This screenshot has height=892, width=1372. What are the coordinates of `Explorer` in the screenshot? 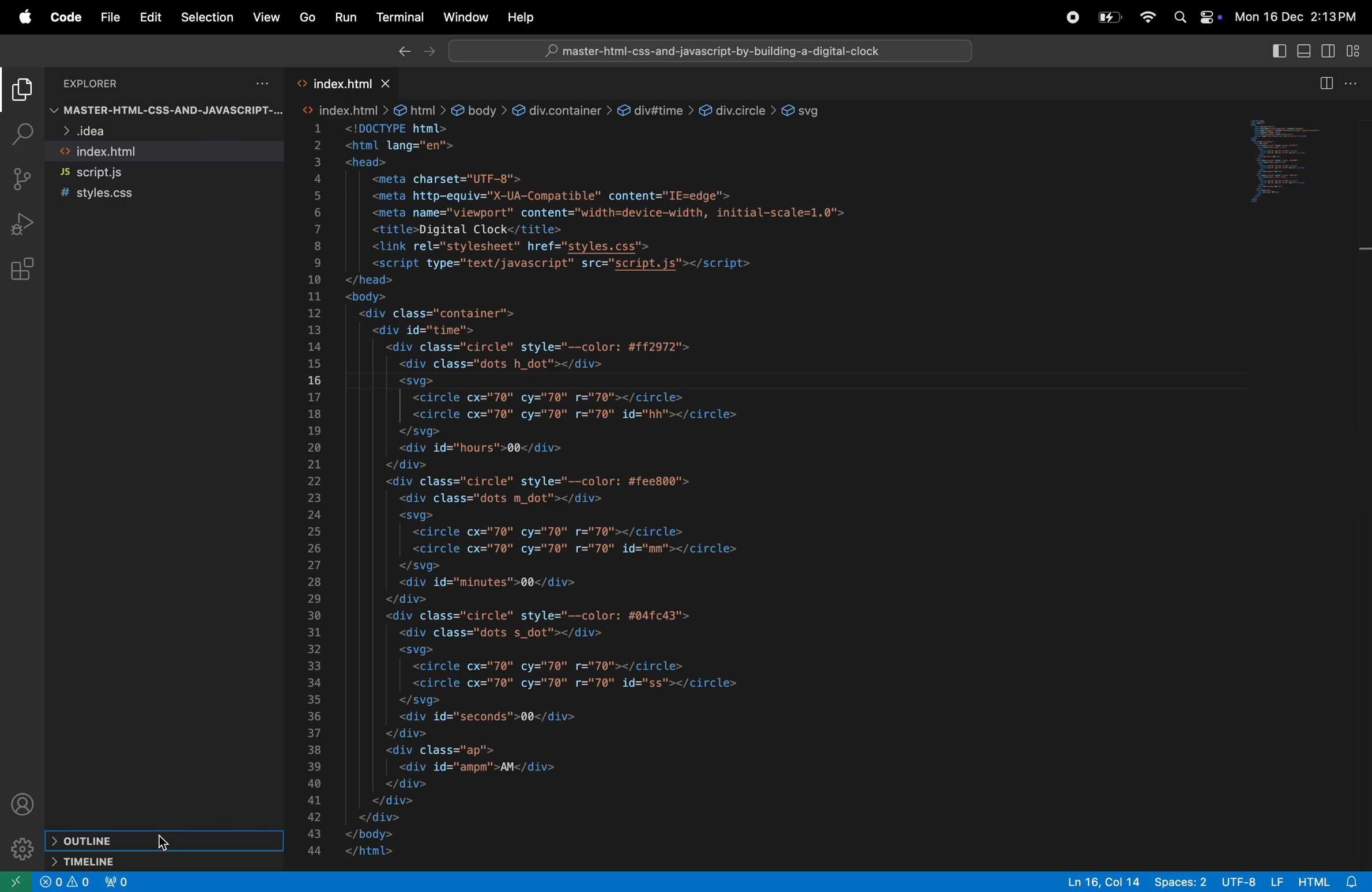 It's located at (104, 83).